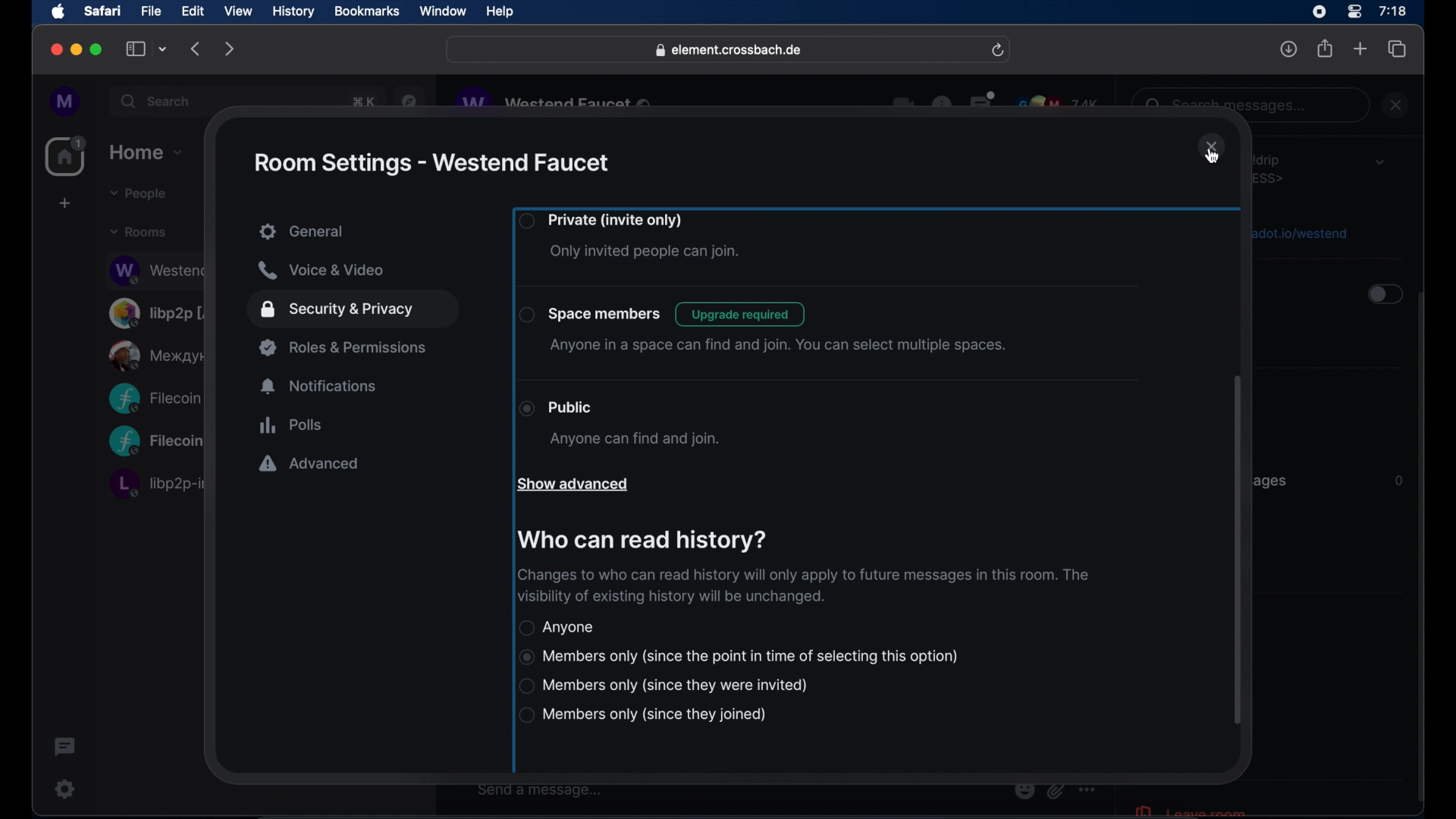  Describe the element at coordinates (801, 586) in the screenshot. I see `history changes rules` at that location.